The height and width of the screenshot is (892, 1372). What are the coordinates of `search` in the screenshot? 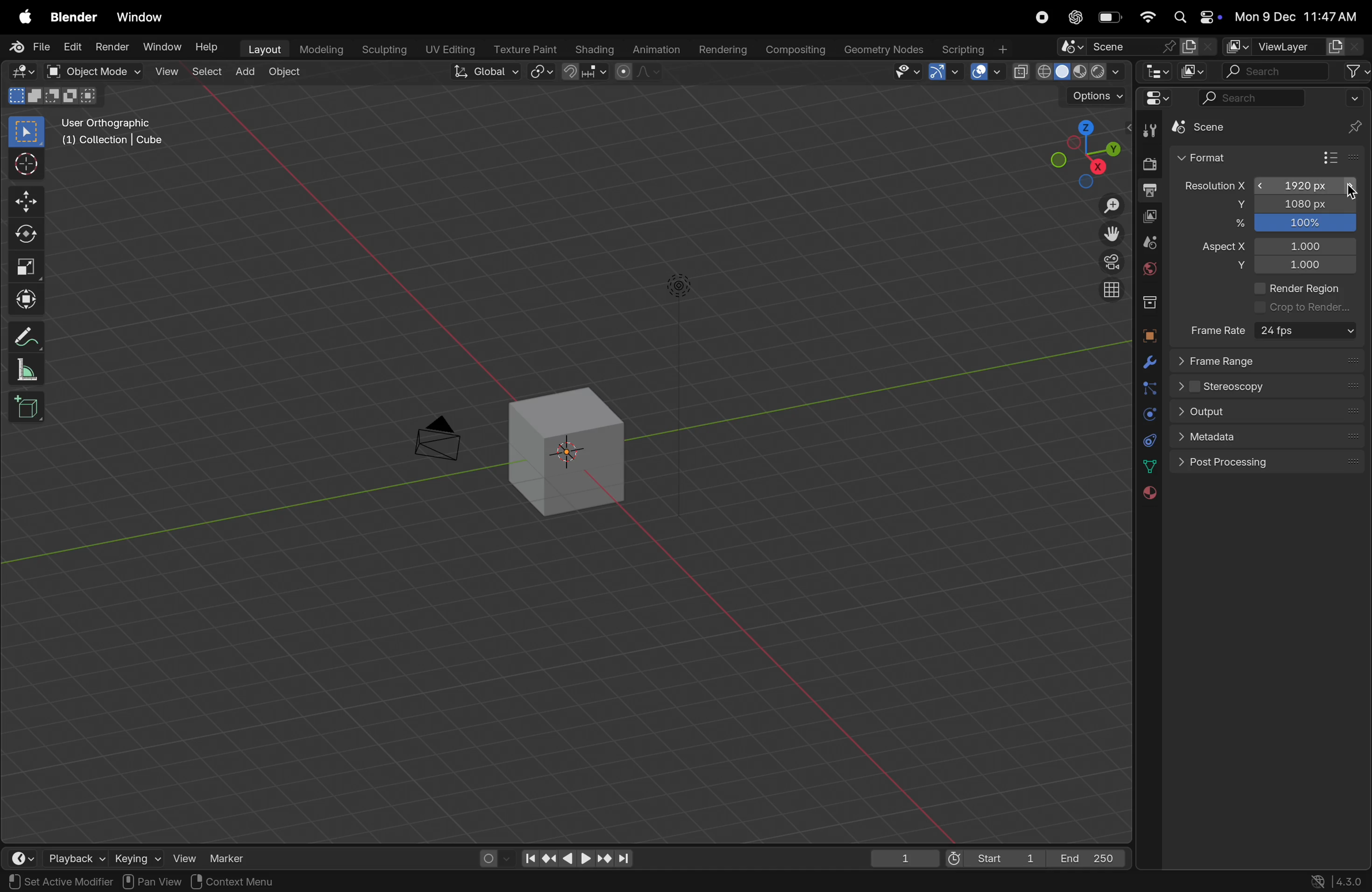 It's located at (1250, 101).